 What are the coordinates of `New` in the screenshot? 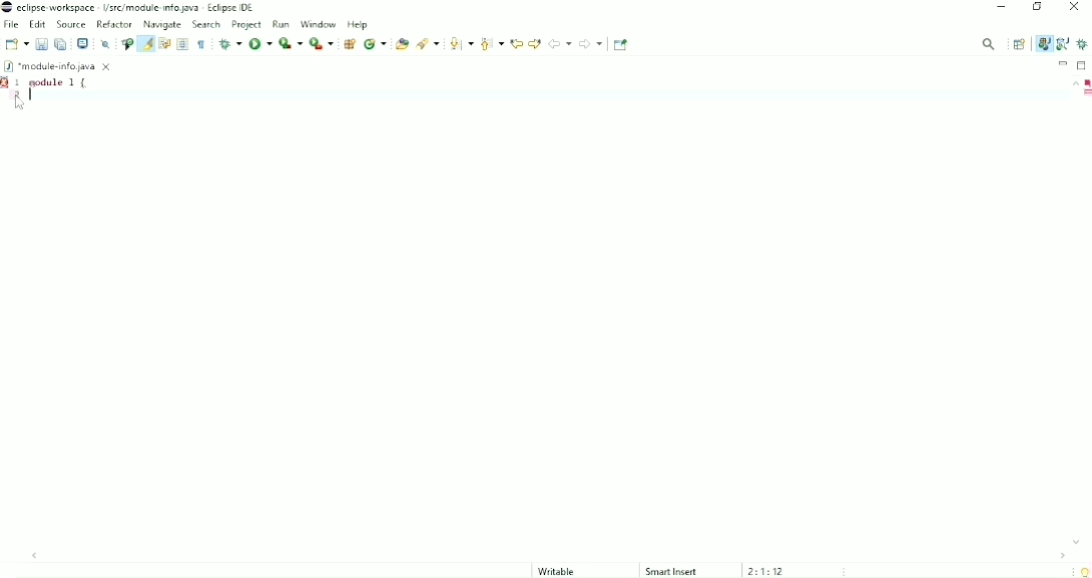 It's located at (16, 44).